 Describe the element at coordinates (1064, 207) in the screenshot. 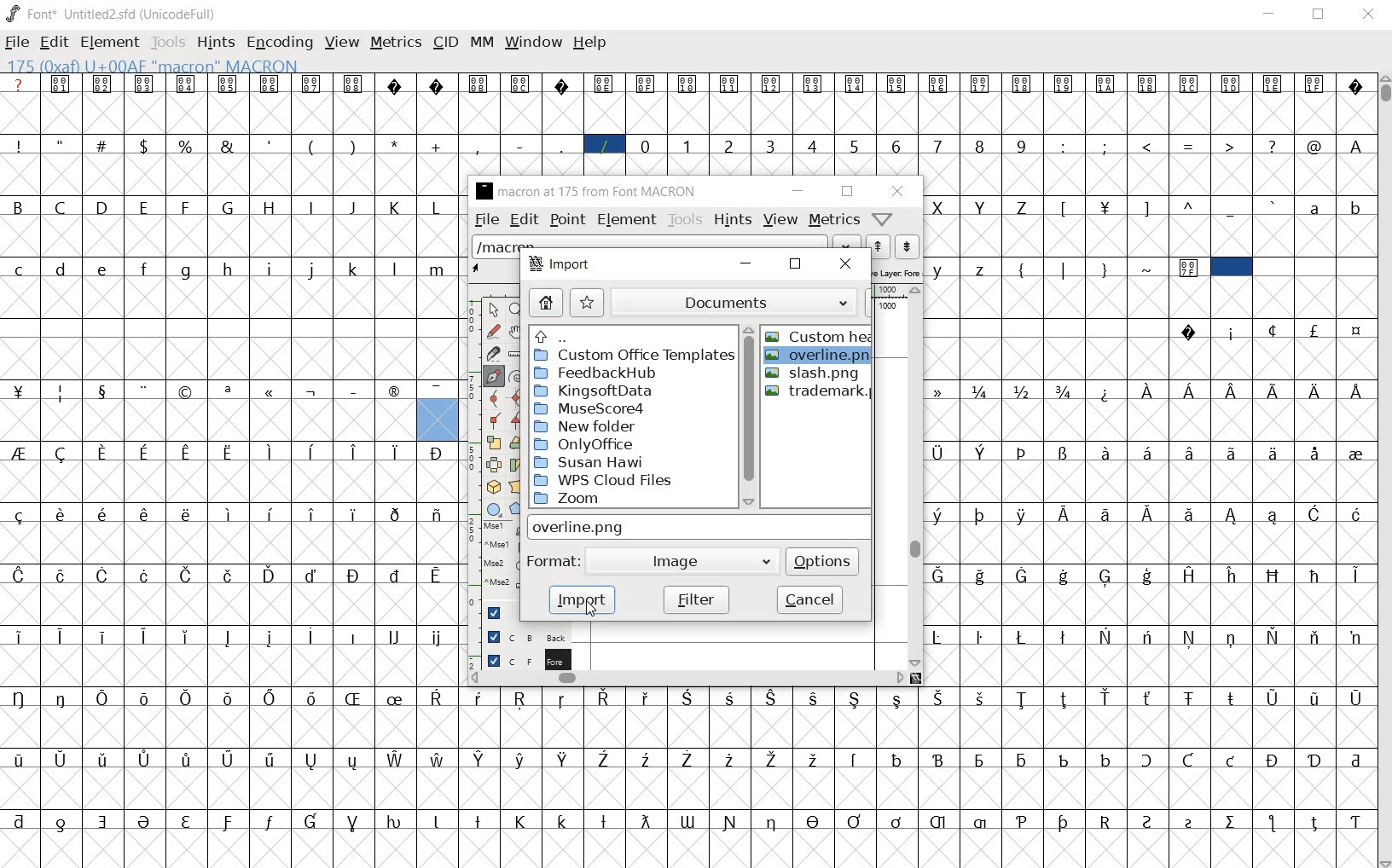

I see `[` at that location.